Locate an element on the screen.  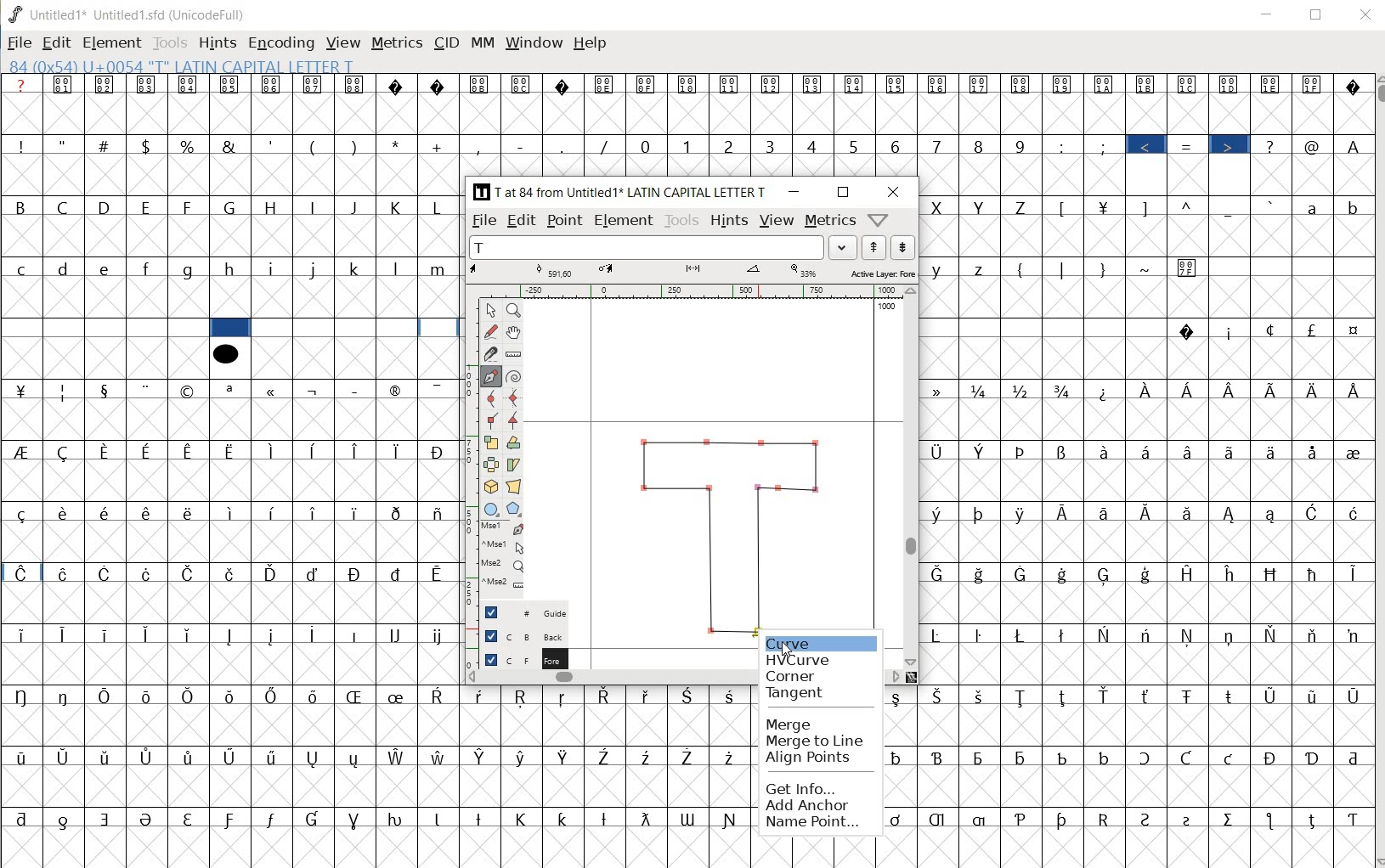
2 is located at coordinates (731, 146).